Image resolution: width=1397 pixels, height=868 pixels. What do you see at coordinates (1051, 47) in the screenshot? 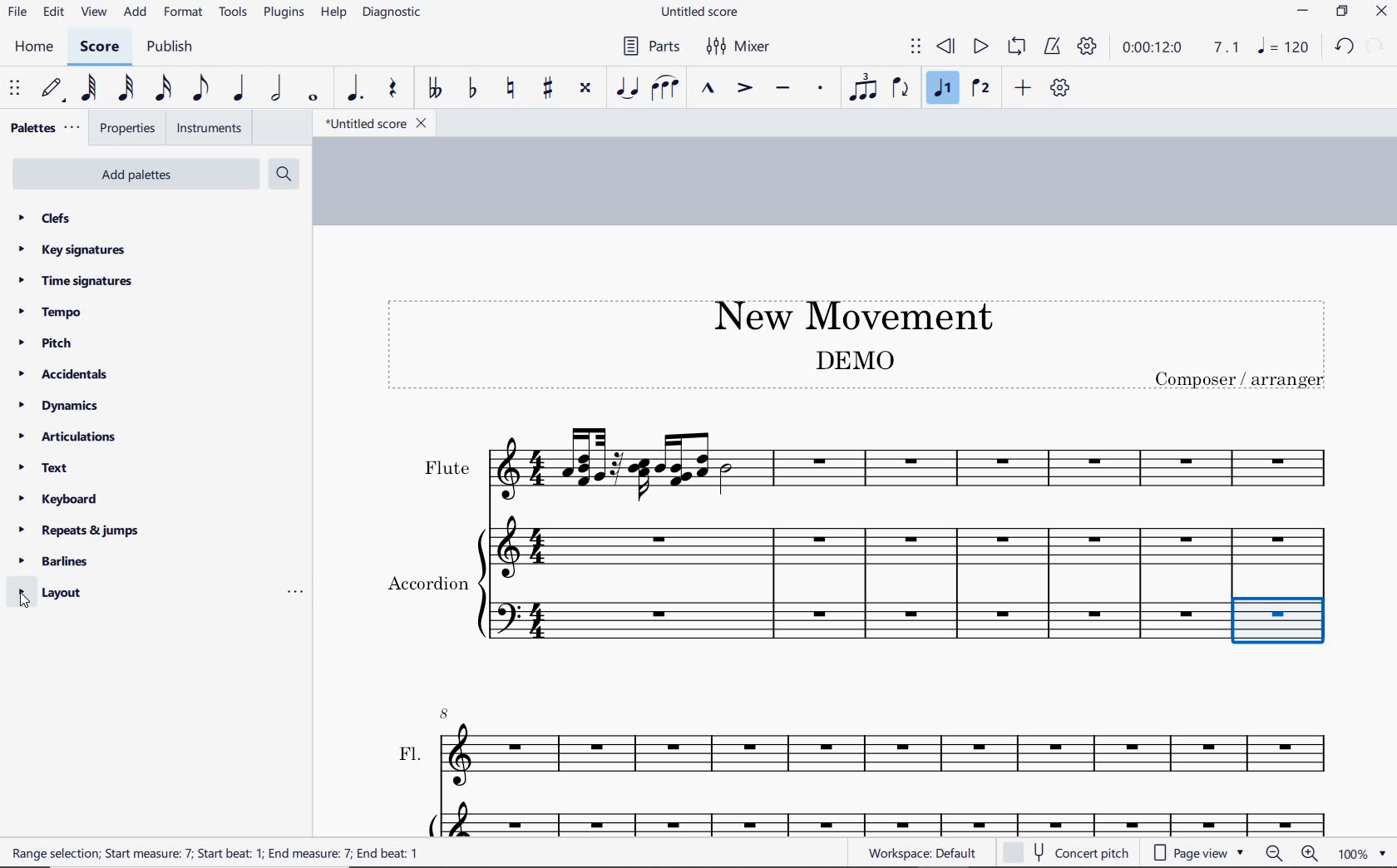
I see `metronome` at bounding box center [1051, 47].